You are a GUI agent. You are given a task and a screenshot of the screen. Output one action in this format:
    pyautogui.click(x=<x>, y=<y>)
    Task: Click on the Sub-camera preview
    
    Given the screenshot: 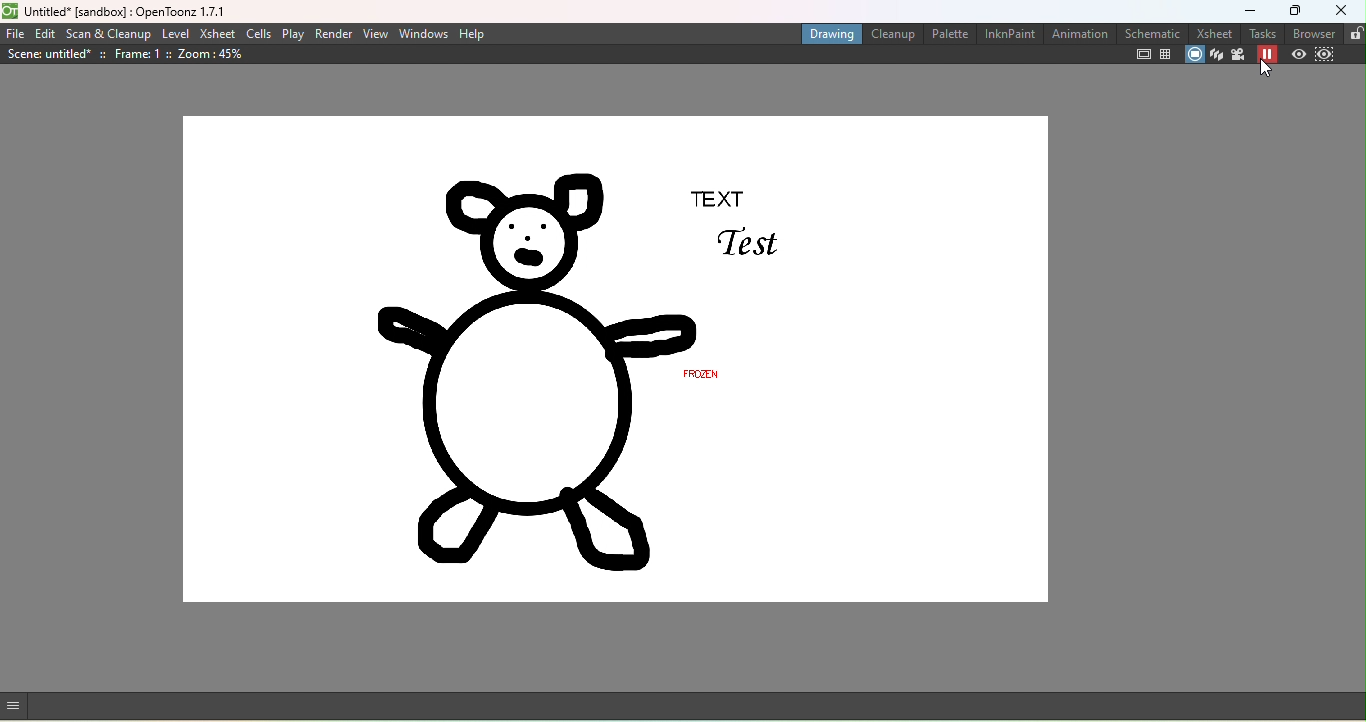 What is the action you would take?
    pyautogui.click(x=1323, y=55)
    